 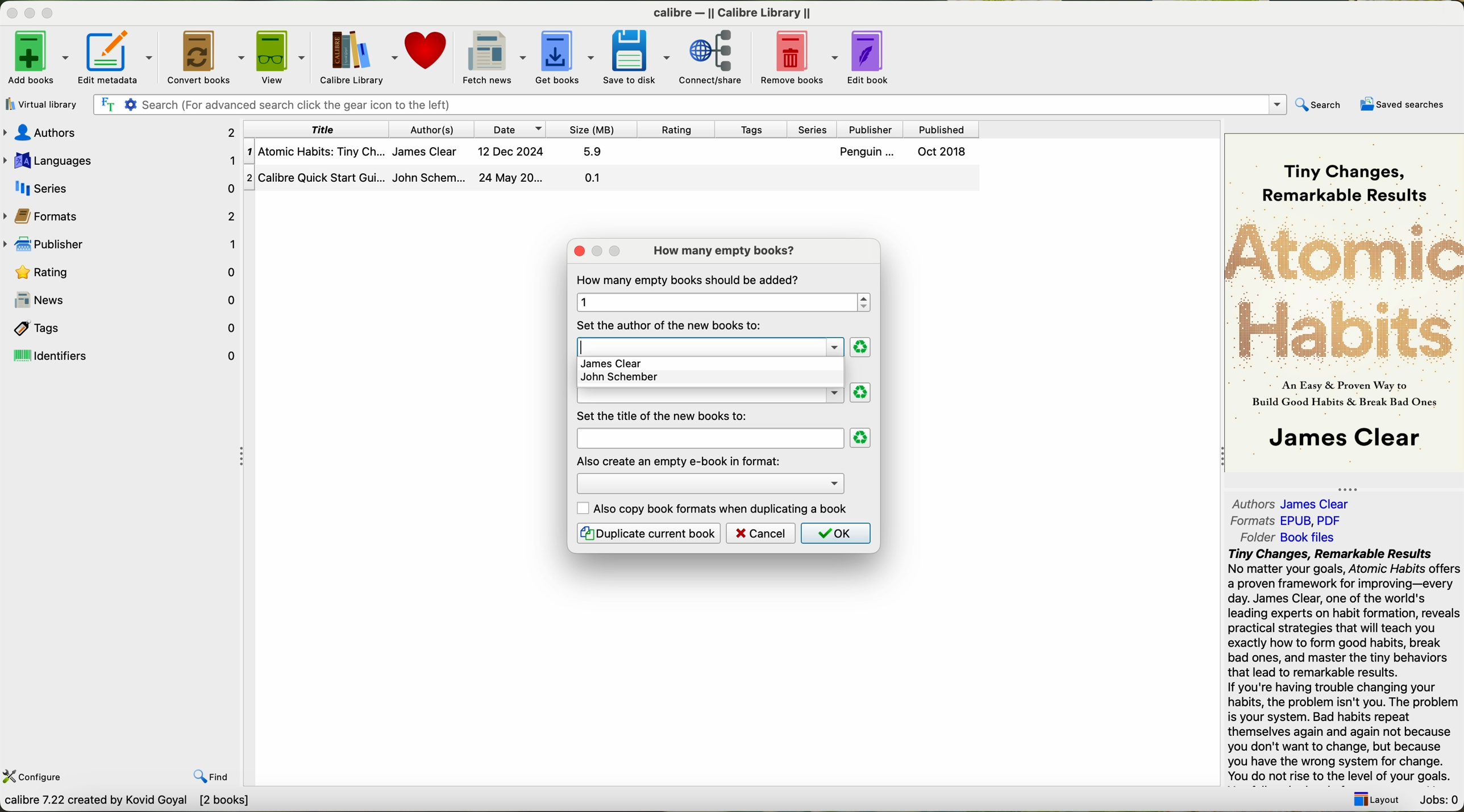 What do you see at coordinates (427, 52) in the screenshot?
I see `donate` at bounding box center [427, 52].